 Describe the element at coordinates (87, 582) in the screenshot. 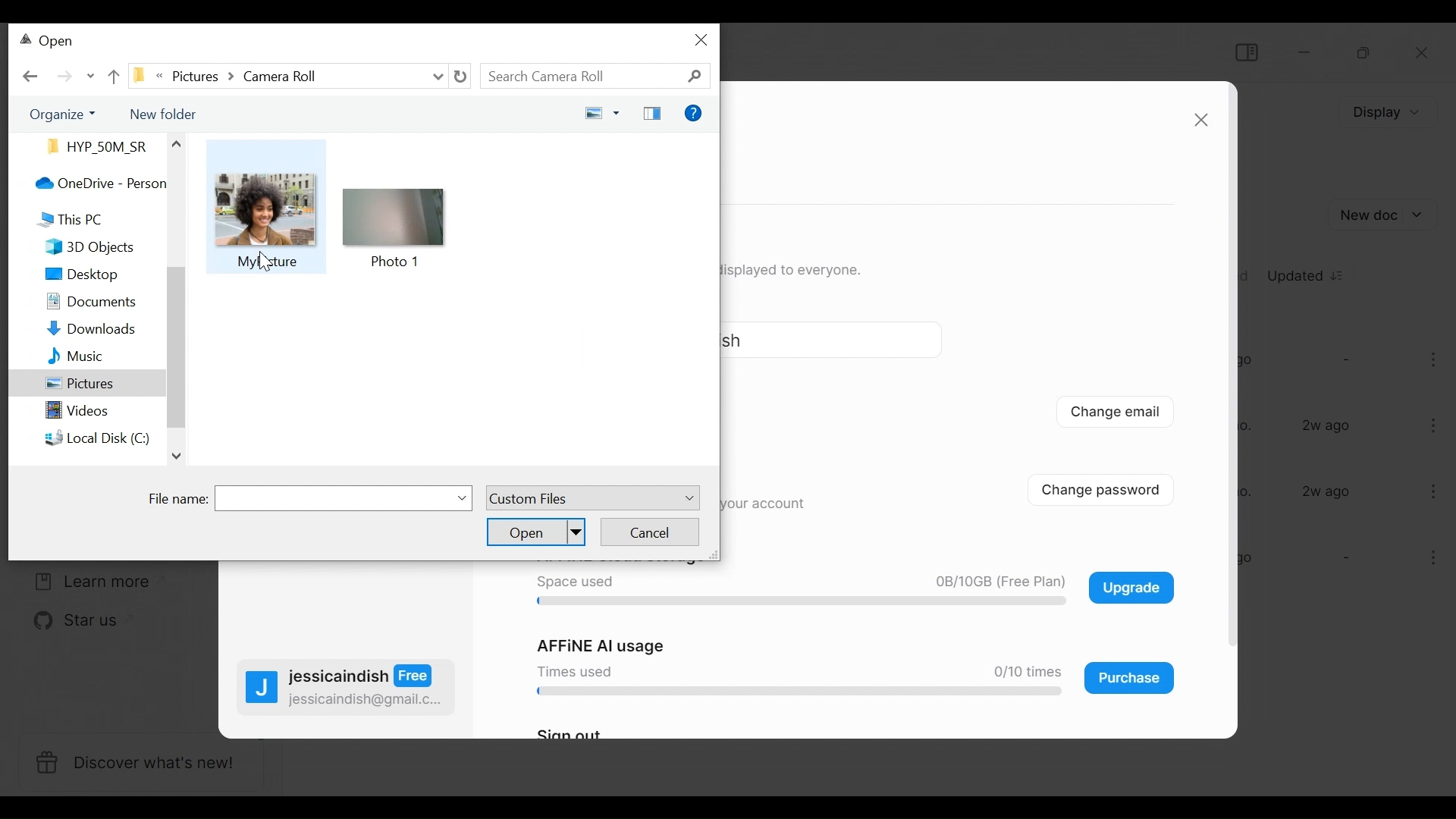

I see `Learn more` at that location.